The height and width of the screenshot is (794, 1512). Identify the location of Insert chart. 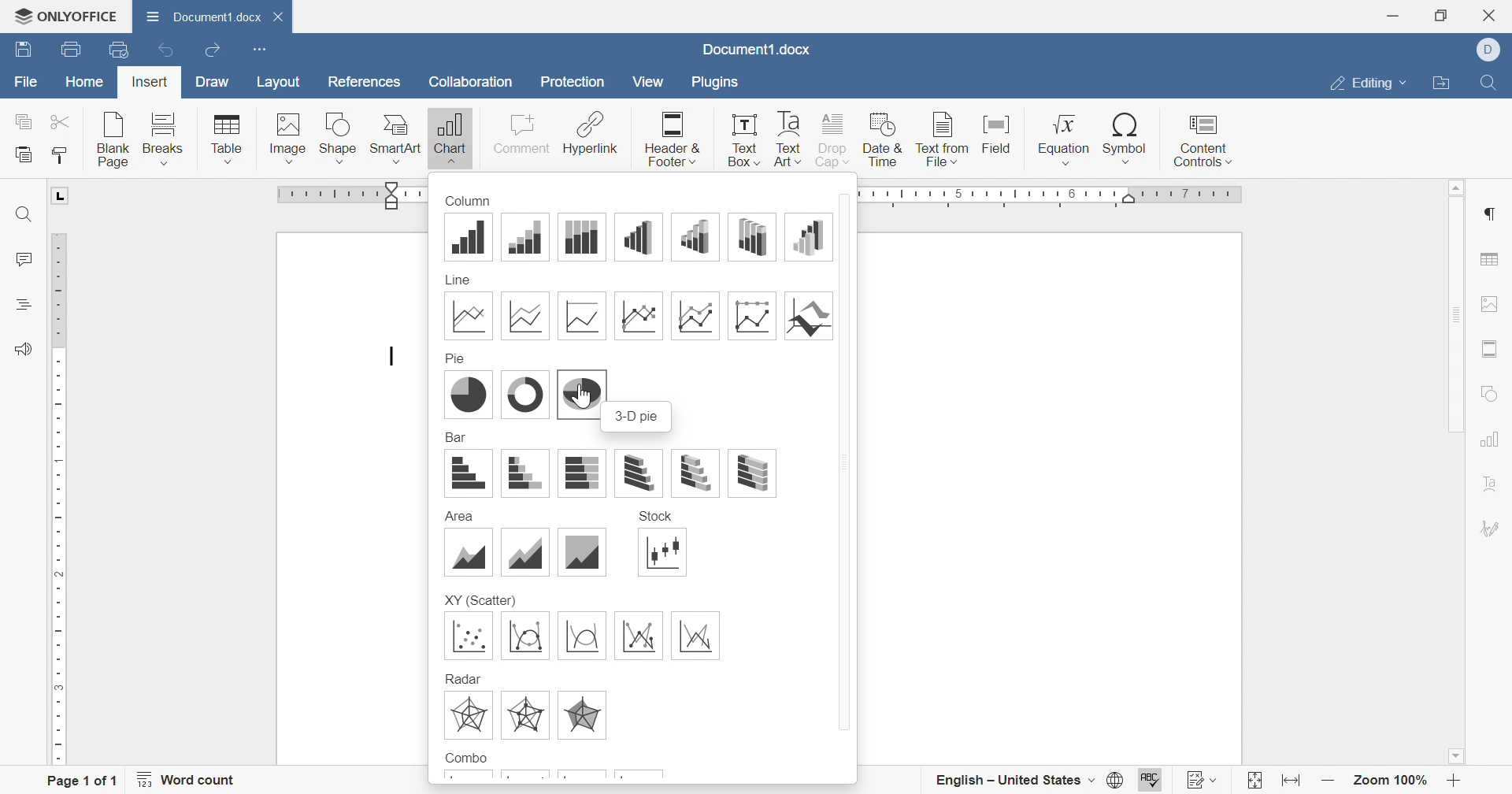
(449, 139).